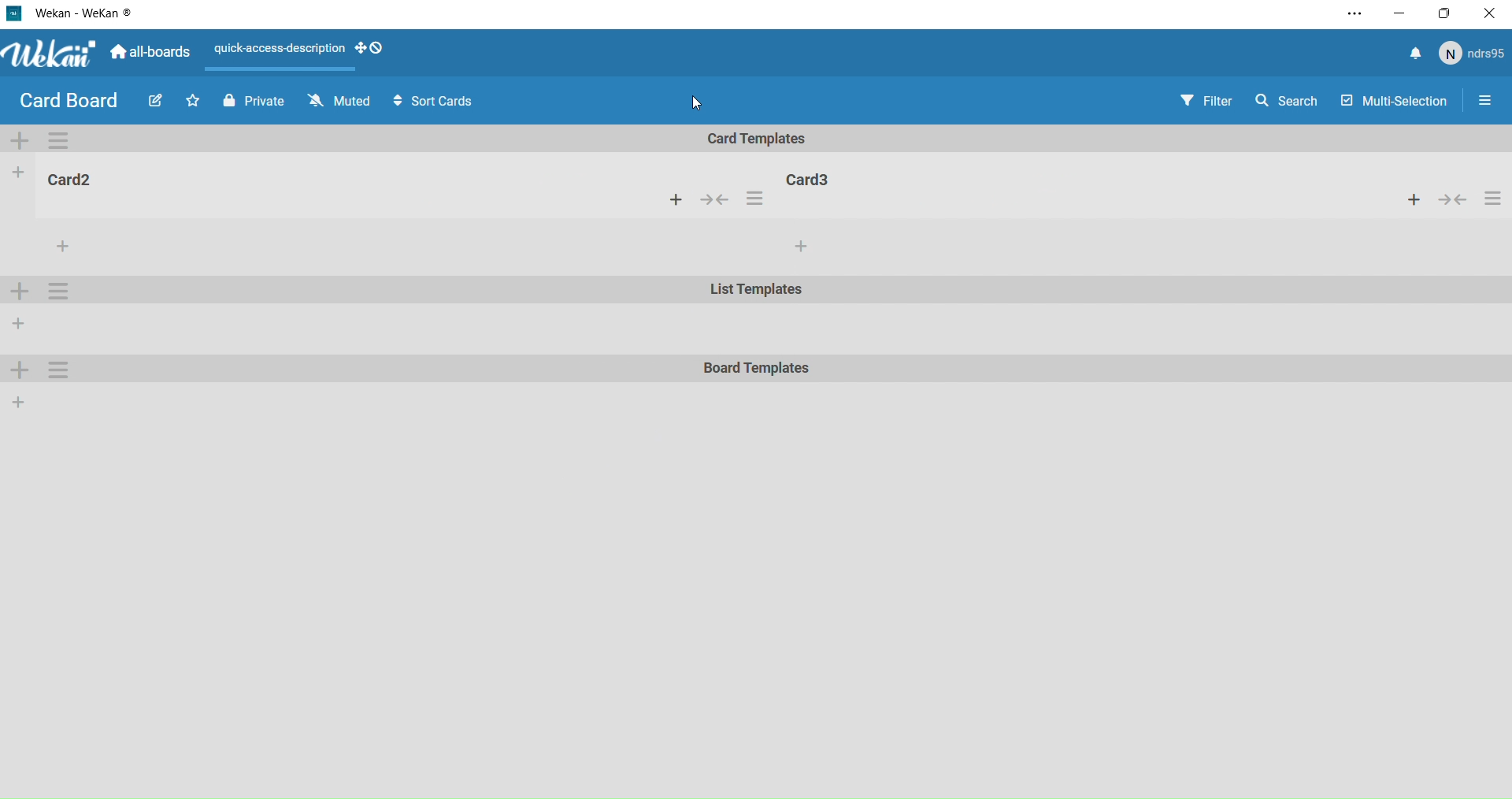 The height and width of the screenshot is (799, 1512). Describe the element at coordinates (1399, 16) in the screenshot. I see `Minimize` at that location.